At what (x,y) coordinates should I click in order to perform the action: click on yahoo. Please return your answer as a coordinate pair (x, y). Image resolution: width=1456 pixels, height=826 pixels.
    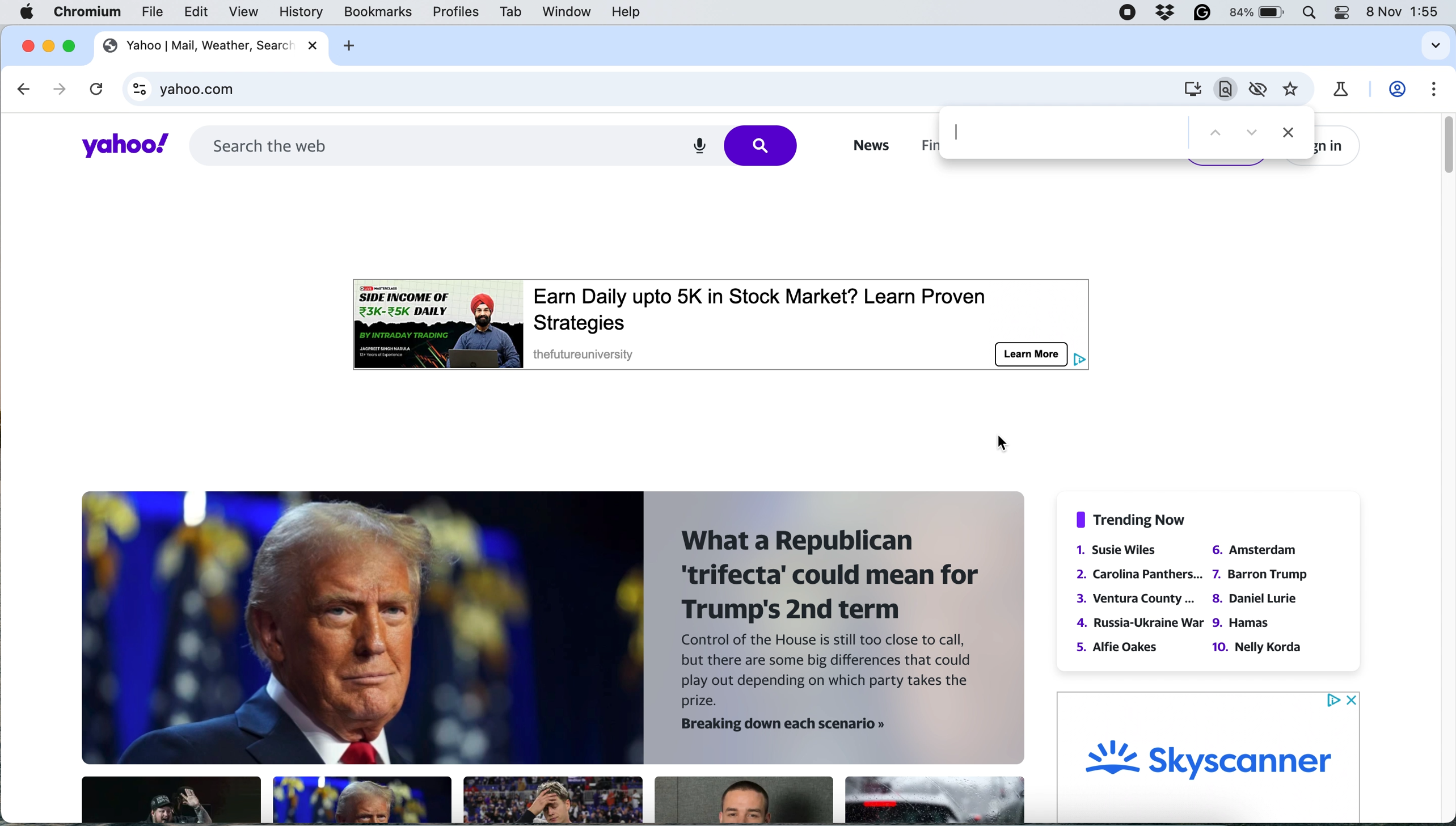
    Looking at the image, I should click on (123, 145).